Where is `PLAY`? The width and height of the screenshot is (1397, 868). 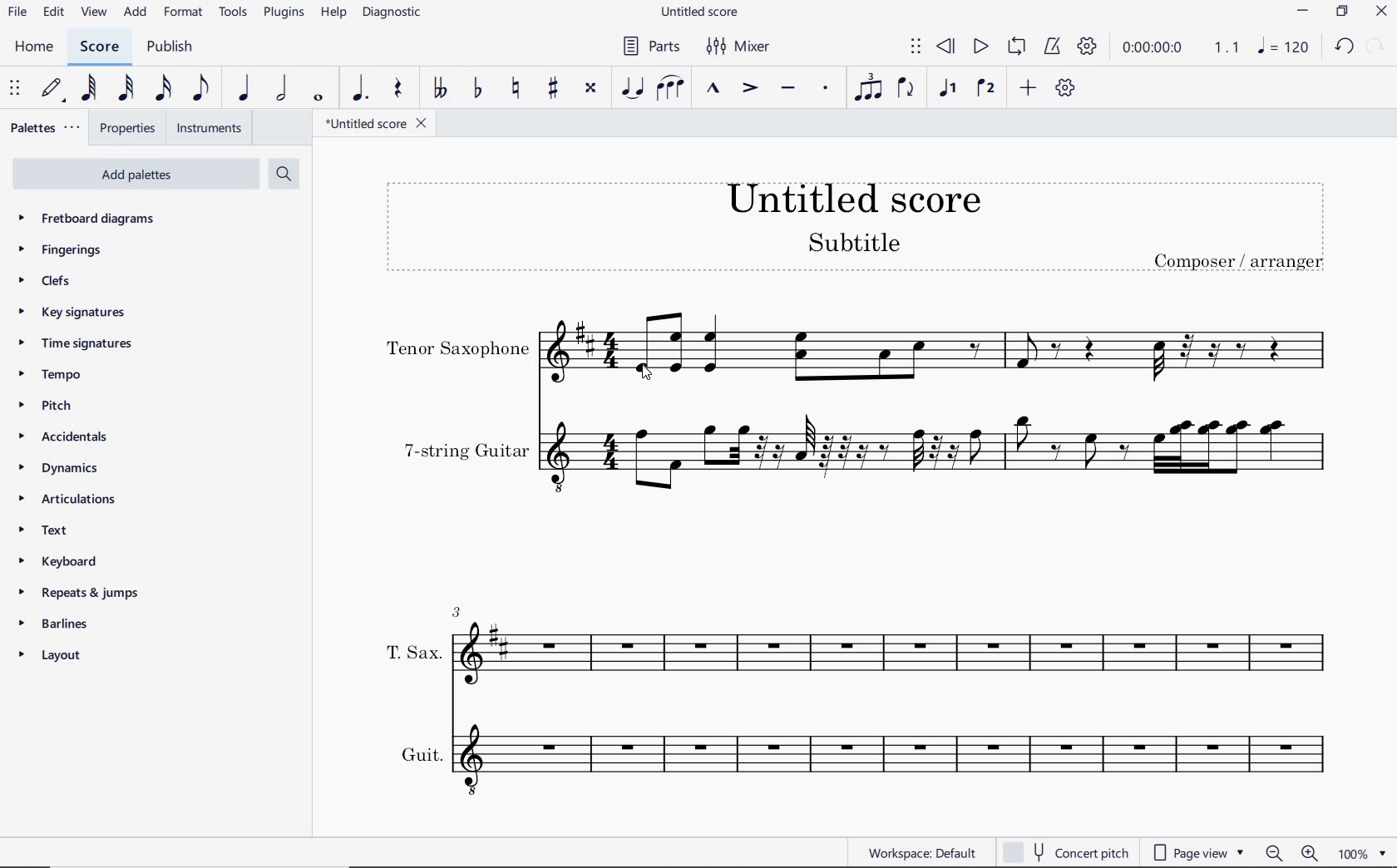
PLAY is located at coordinates (980, 47).